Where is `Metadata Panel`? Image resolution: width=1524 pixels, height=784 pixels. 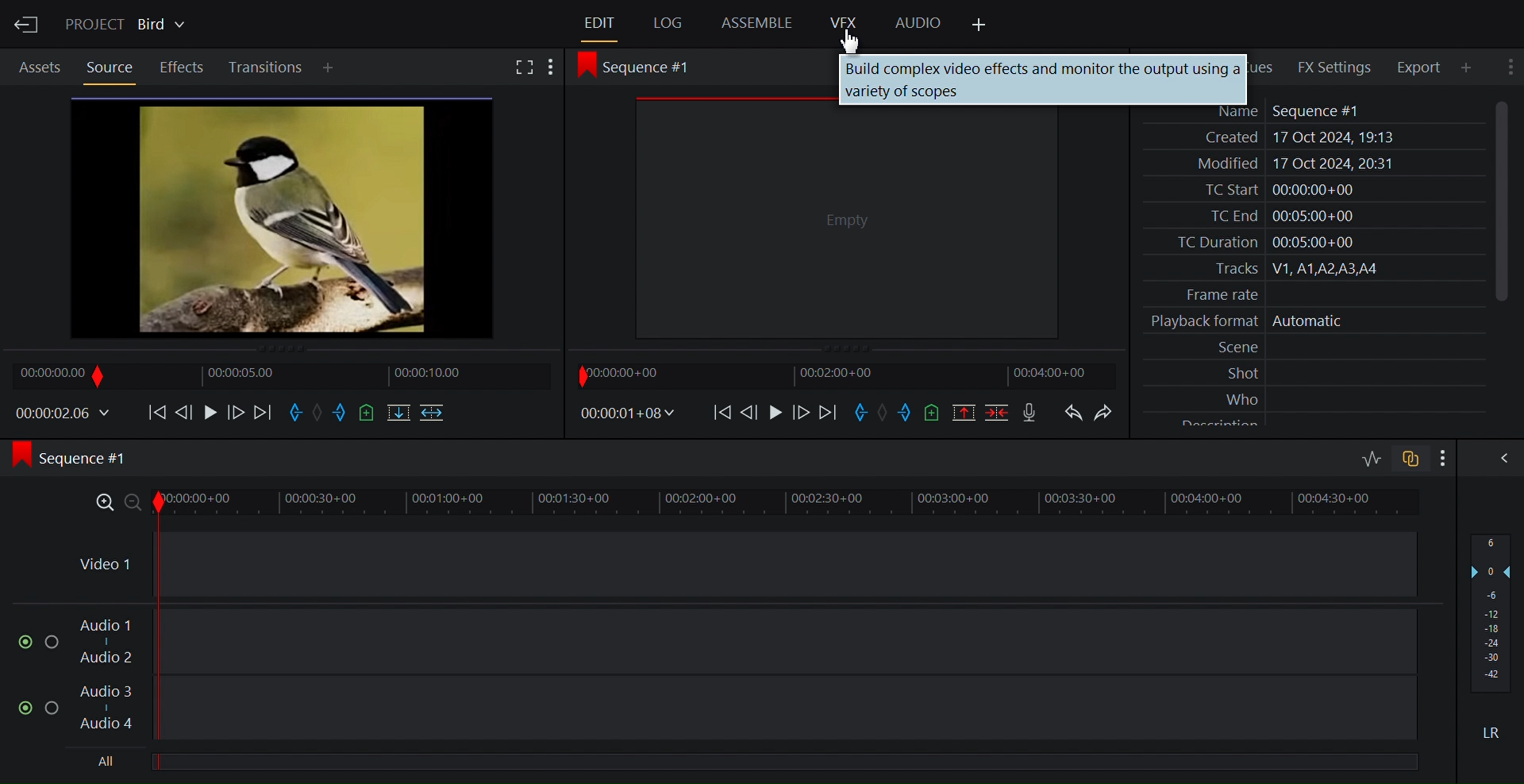
Metadata Panel is located at coordinates (1297, 266).